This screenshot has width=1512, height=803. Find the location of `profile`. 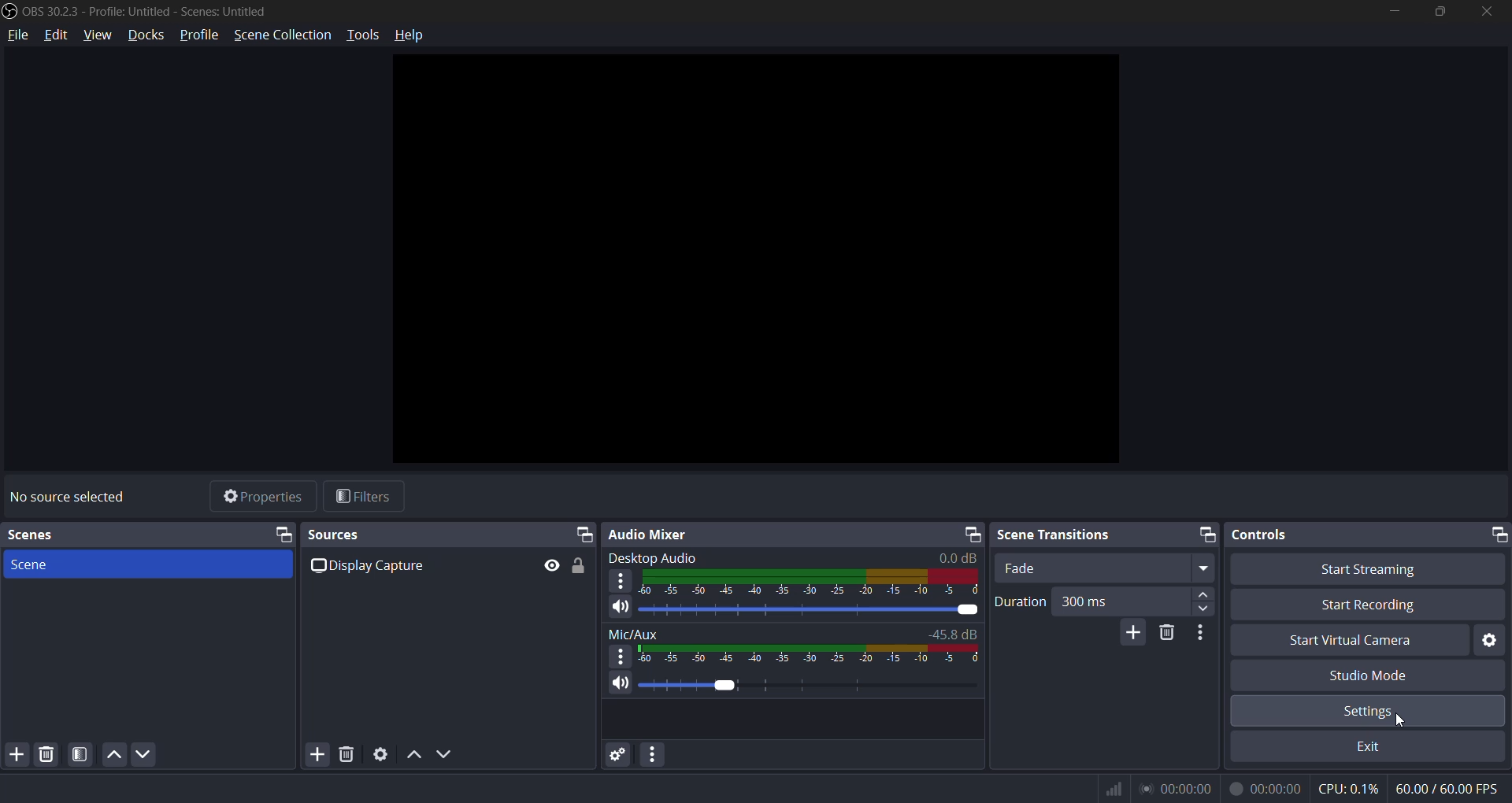

profile is located at coordinates (198, 35).